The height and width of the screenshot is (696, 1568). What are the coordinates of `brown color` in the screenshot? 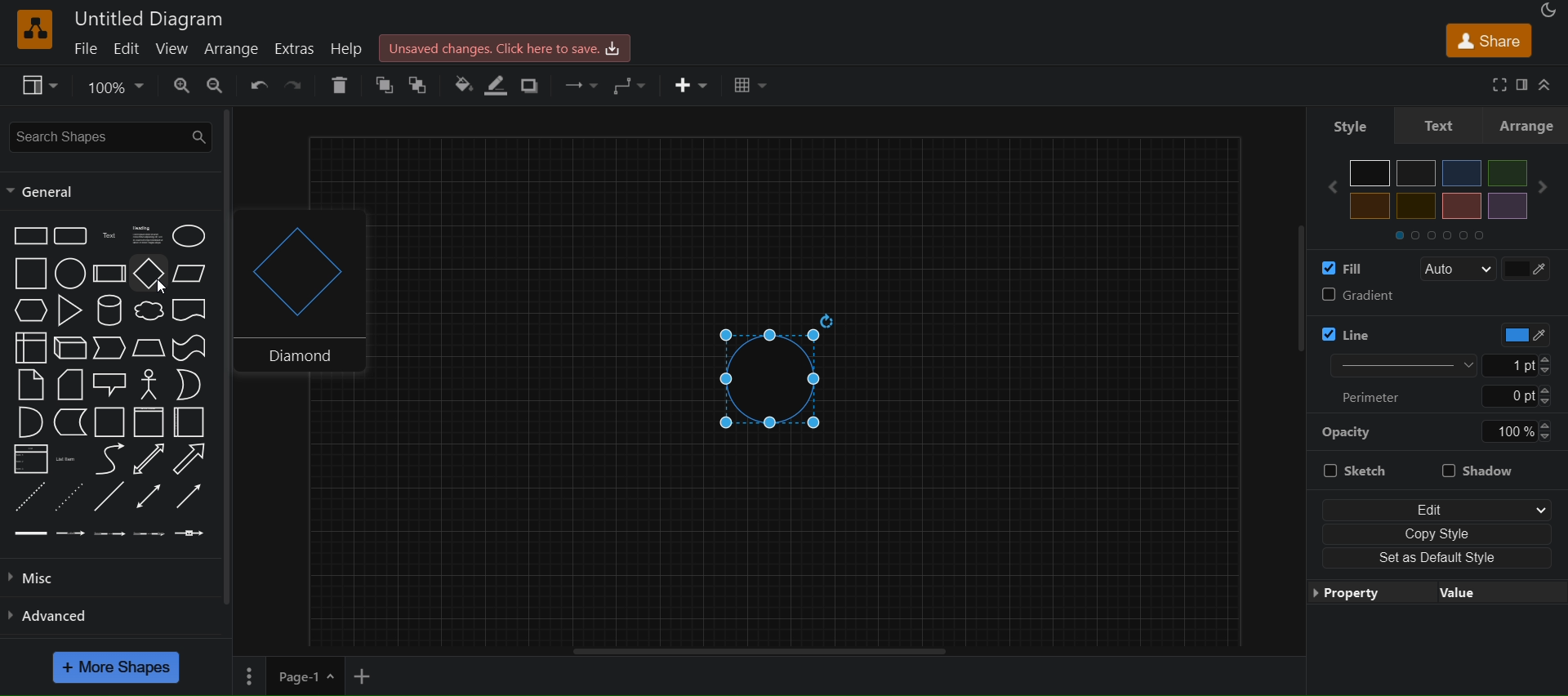 It's located at (1461, 206).